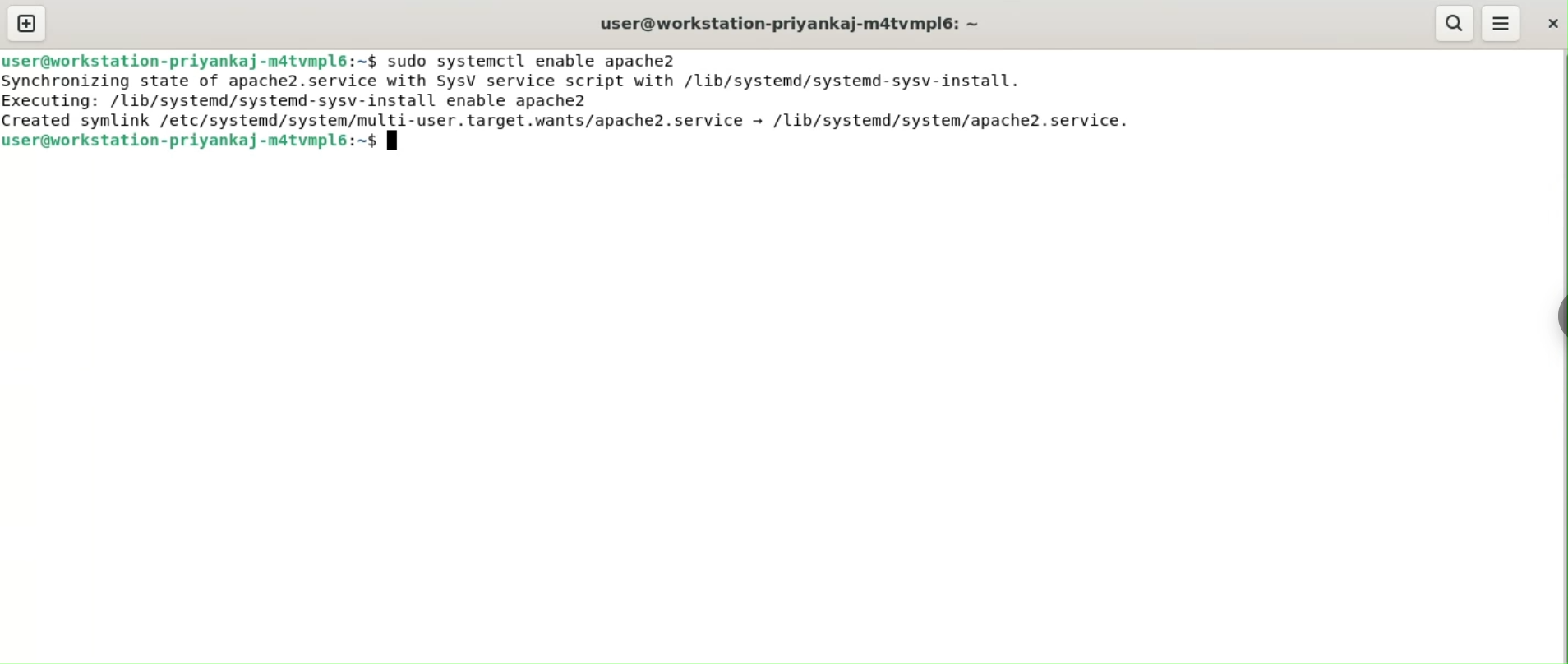  What do you see at coordinates (190, 60) in the screenshot?
I see `user@workstation-priyankaj-m4tvmpl6:~$` at bounding box center [190, 60].